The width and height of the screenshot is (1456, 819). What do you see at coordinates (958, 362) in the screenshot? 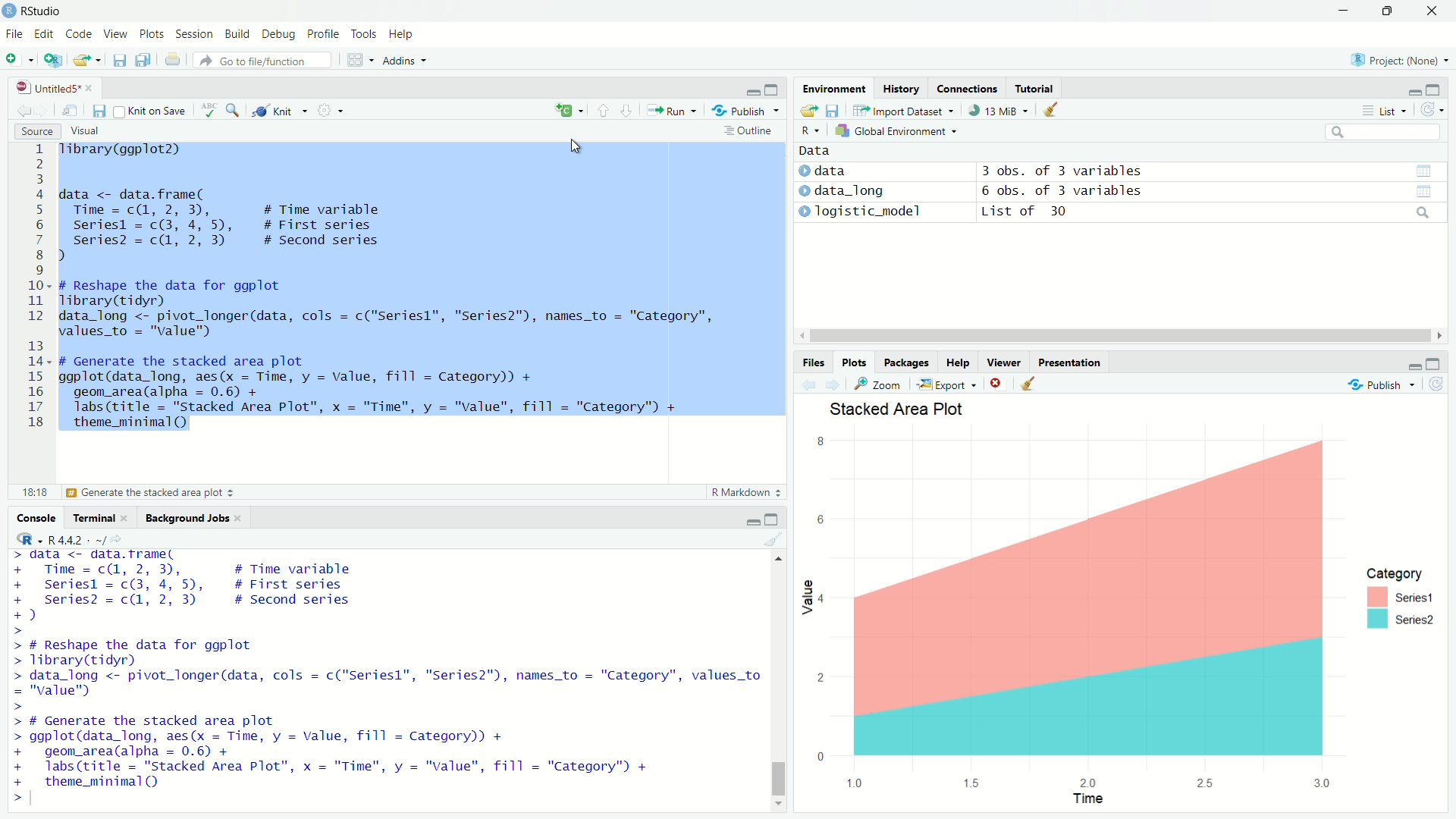
I see `Help.` at bounding box center [958, 362].